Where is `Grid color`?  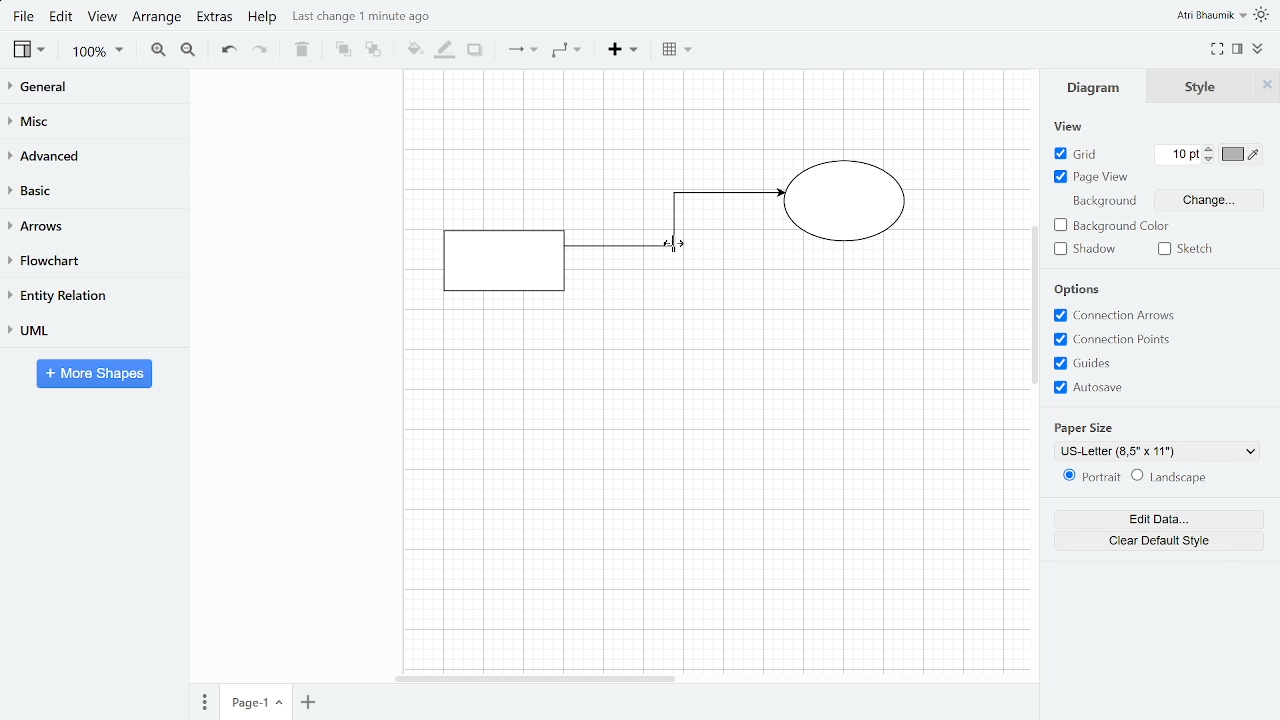 Grid color is located at coordinates (1238, 153).